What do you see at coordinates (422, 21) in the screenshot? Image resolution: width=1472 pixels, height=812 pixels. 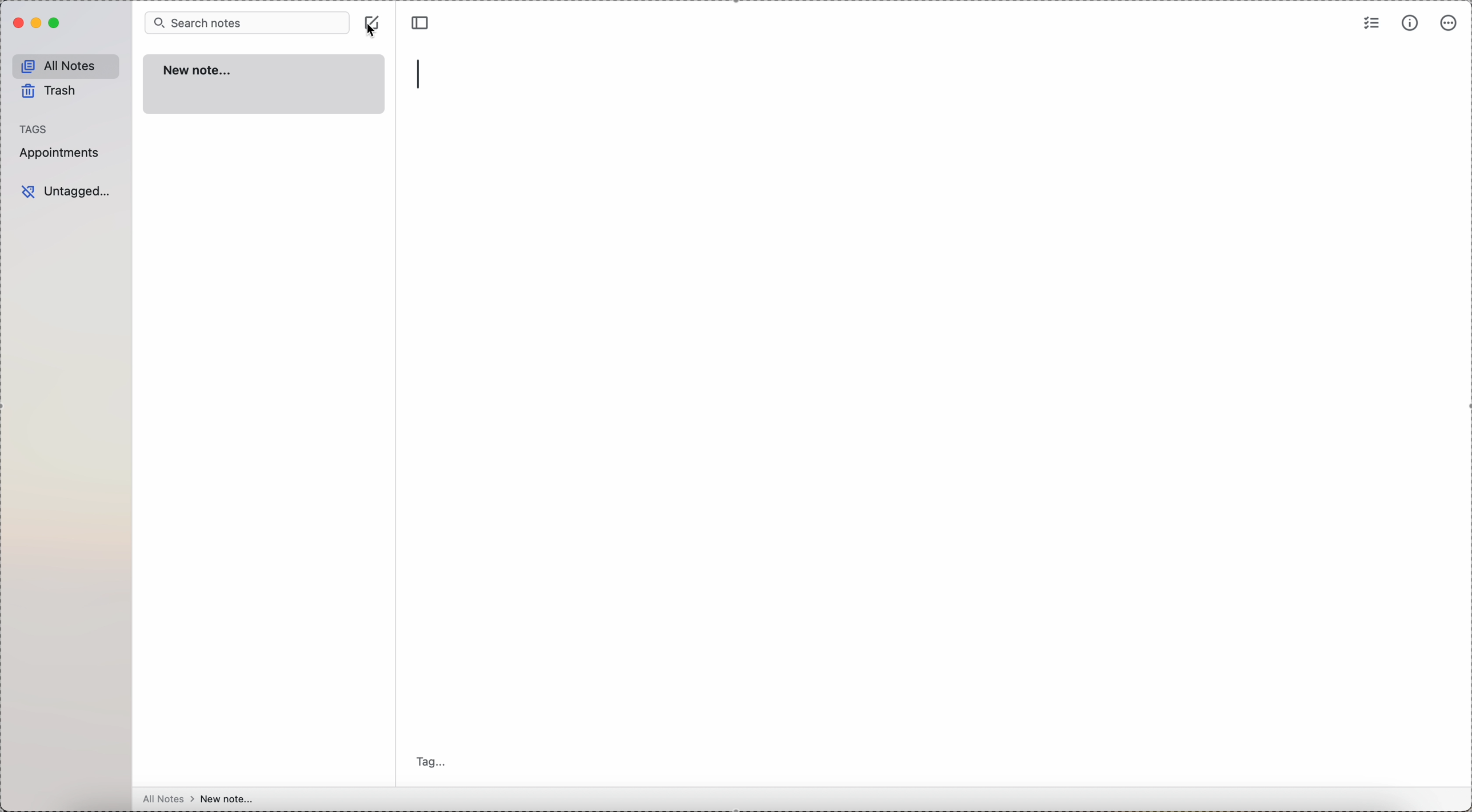 I see `toggle sidebar` at bounding box center [422, 21].